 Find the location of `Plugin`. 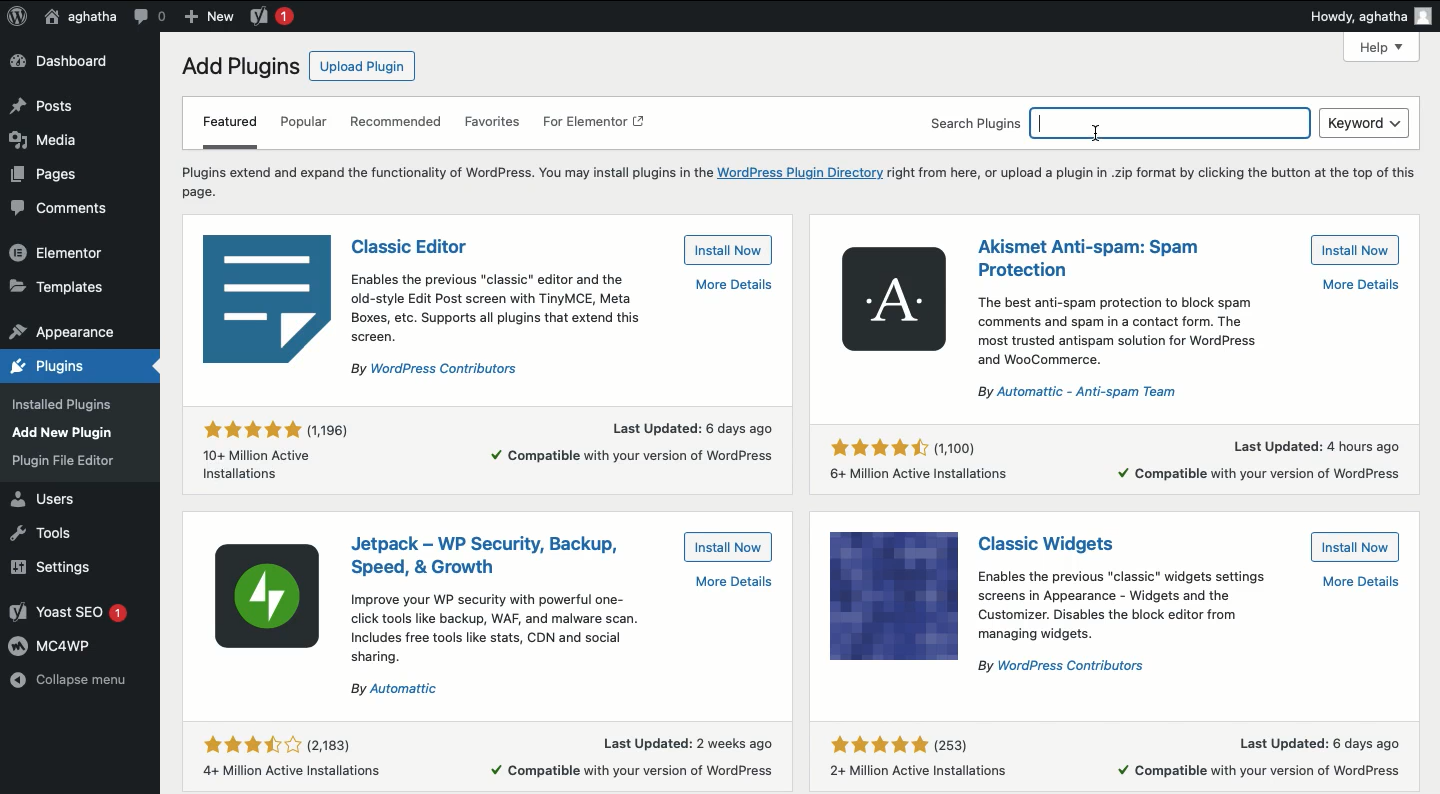

Plugin is located at coordinates (1055, 544).